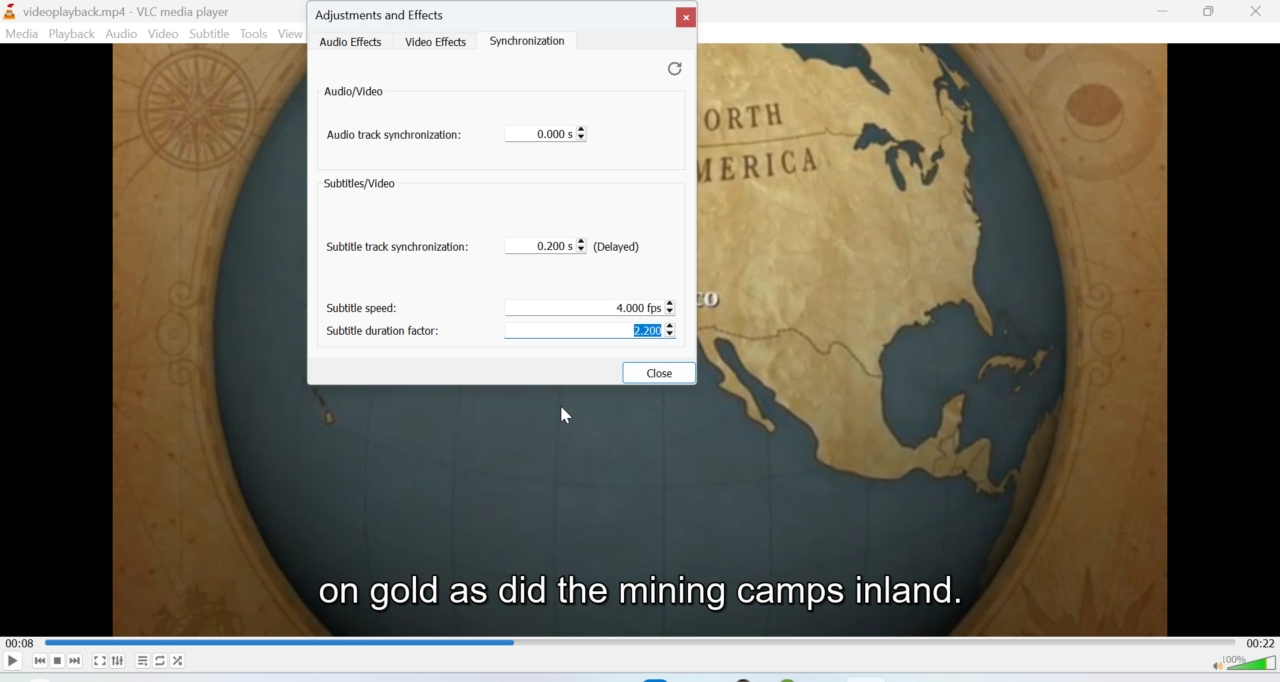 Image resolution: width=1280 pixels, height=682 pixels. What do you see at coordinates (1263, 644) in the screenshot?
I see `00:22` at bounding box center [1263, 644].